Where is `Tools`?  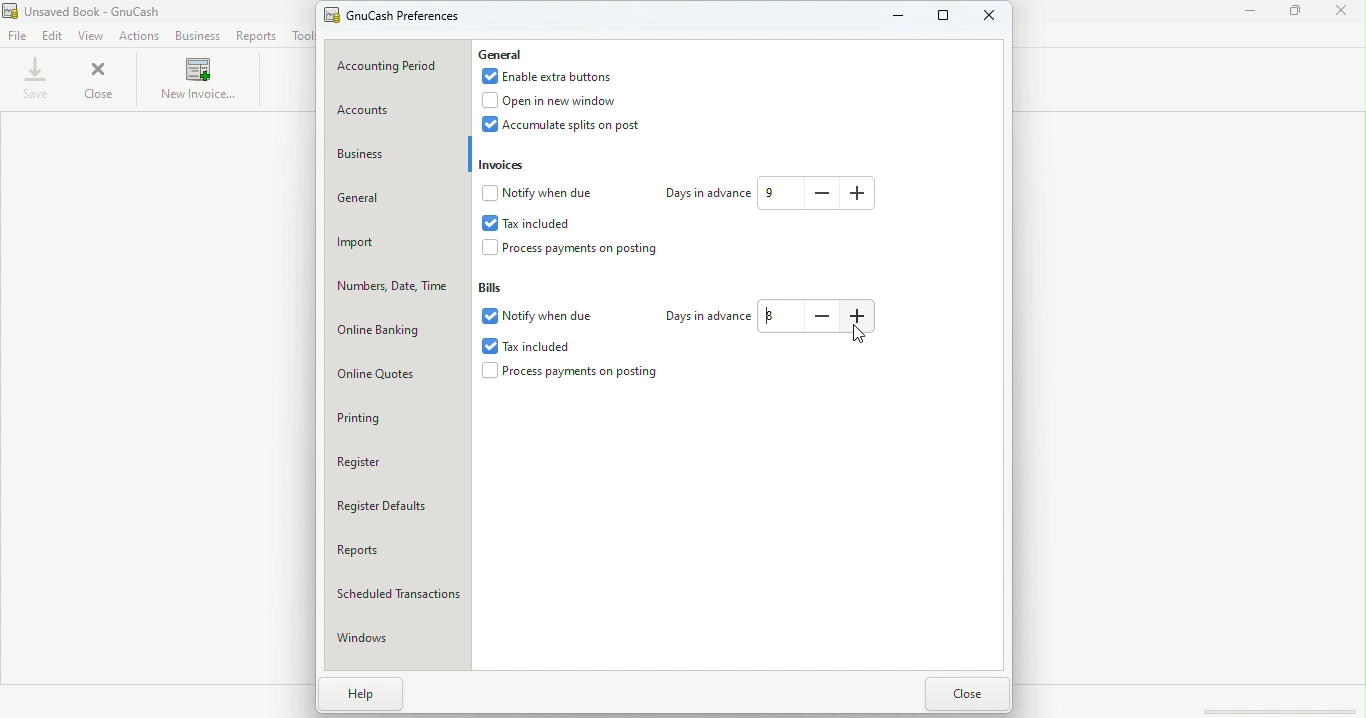 Tools is located at coordinates (300, 35).